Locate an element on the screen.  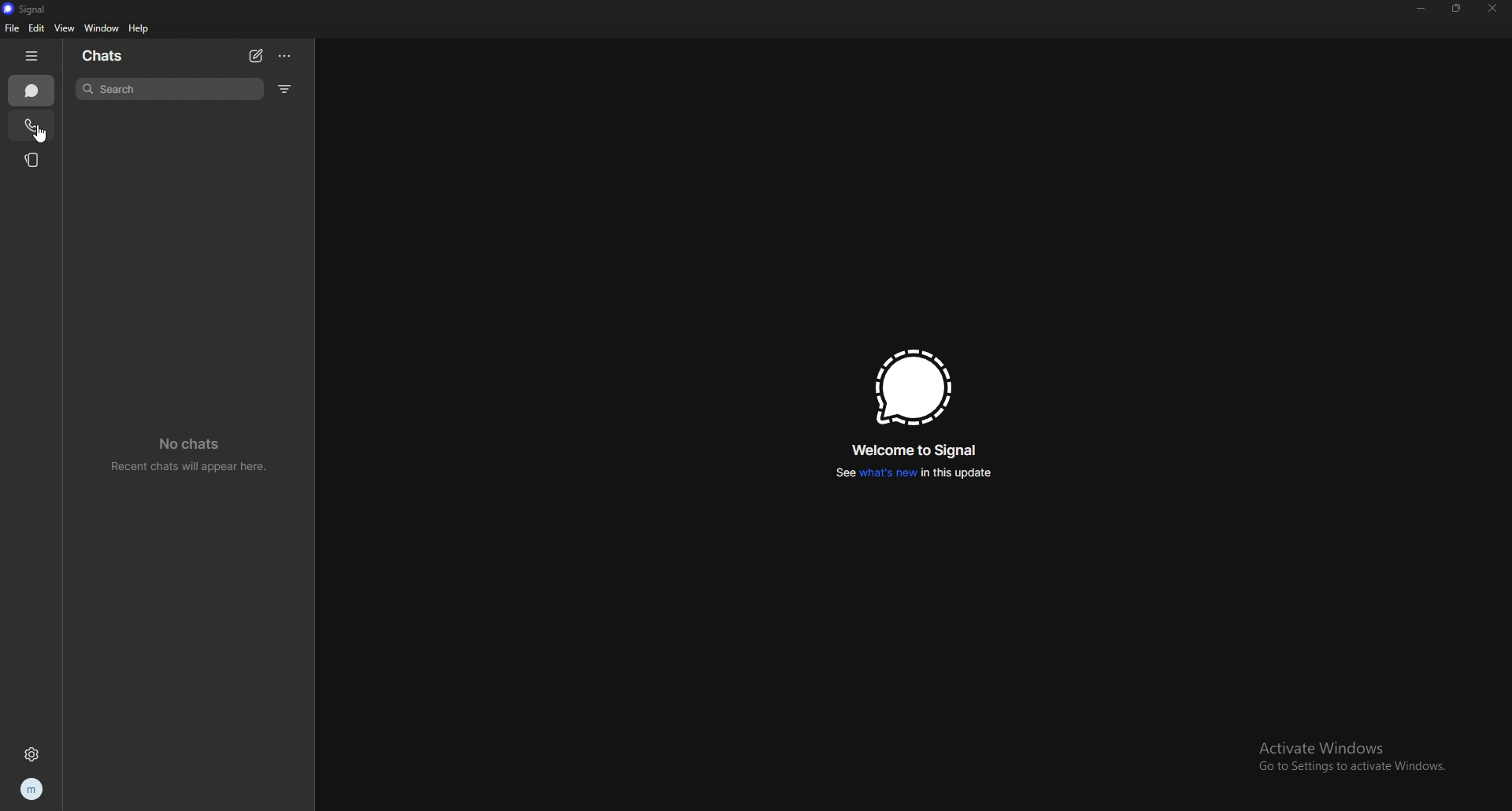
window is located at coordinates (102, 28).